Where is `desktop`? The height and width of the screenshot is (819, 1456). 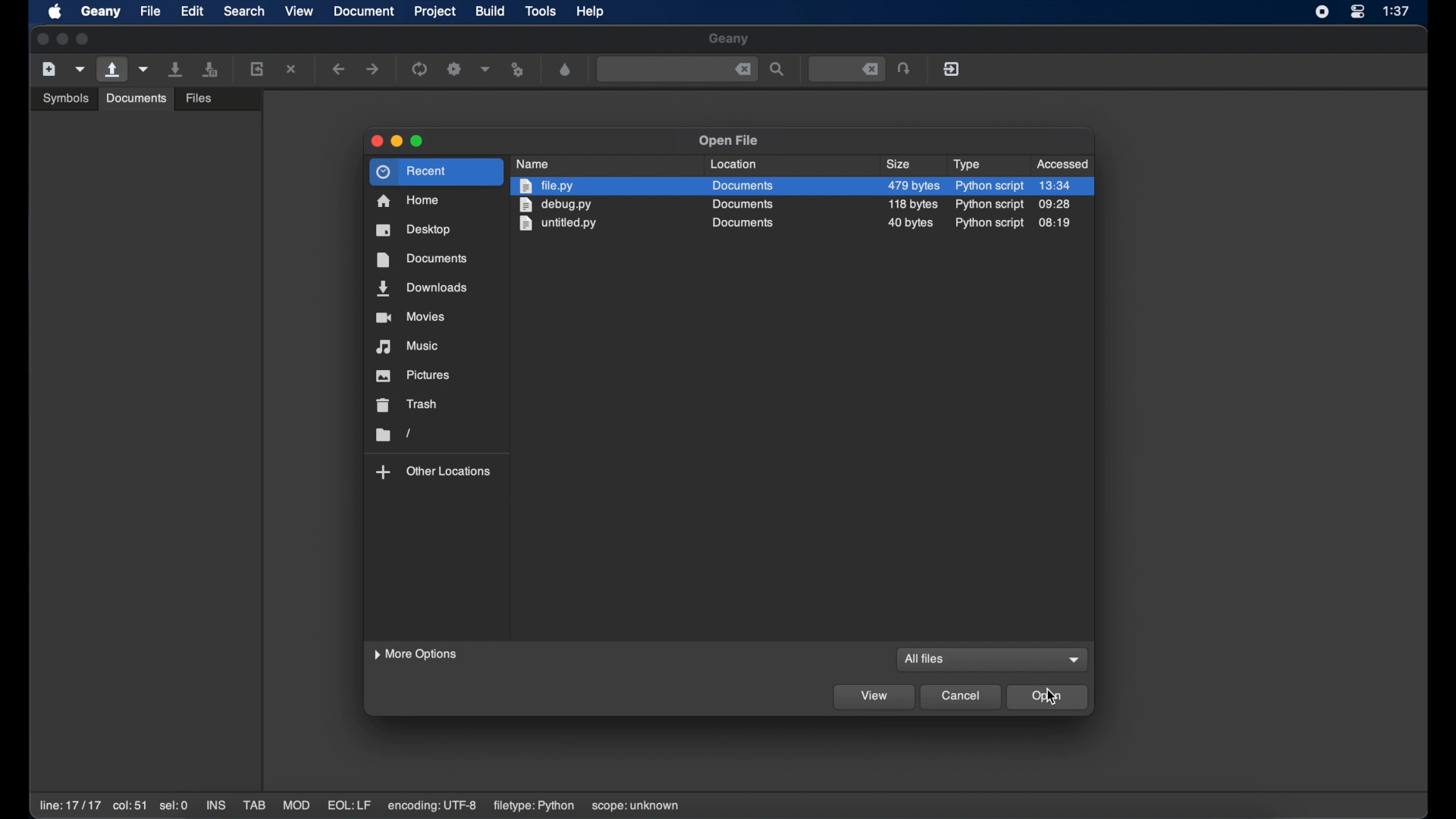 desktop is located at coordinates (414, 230).